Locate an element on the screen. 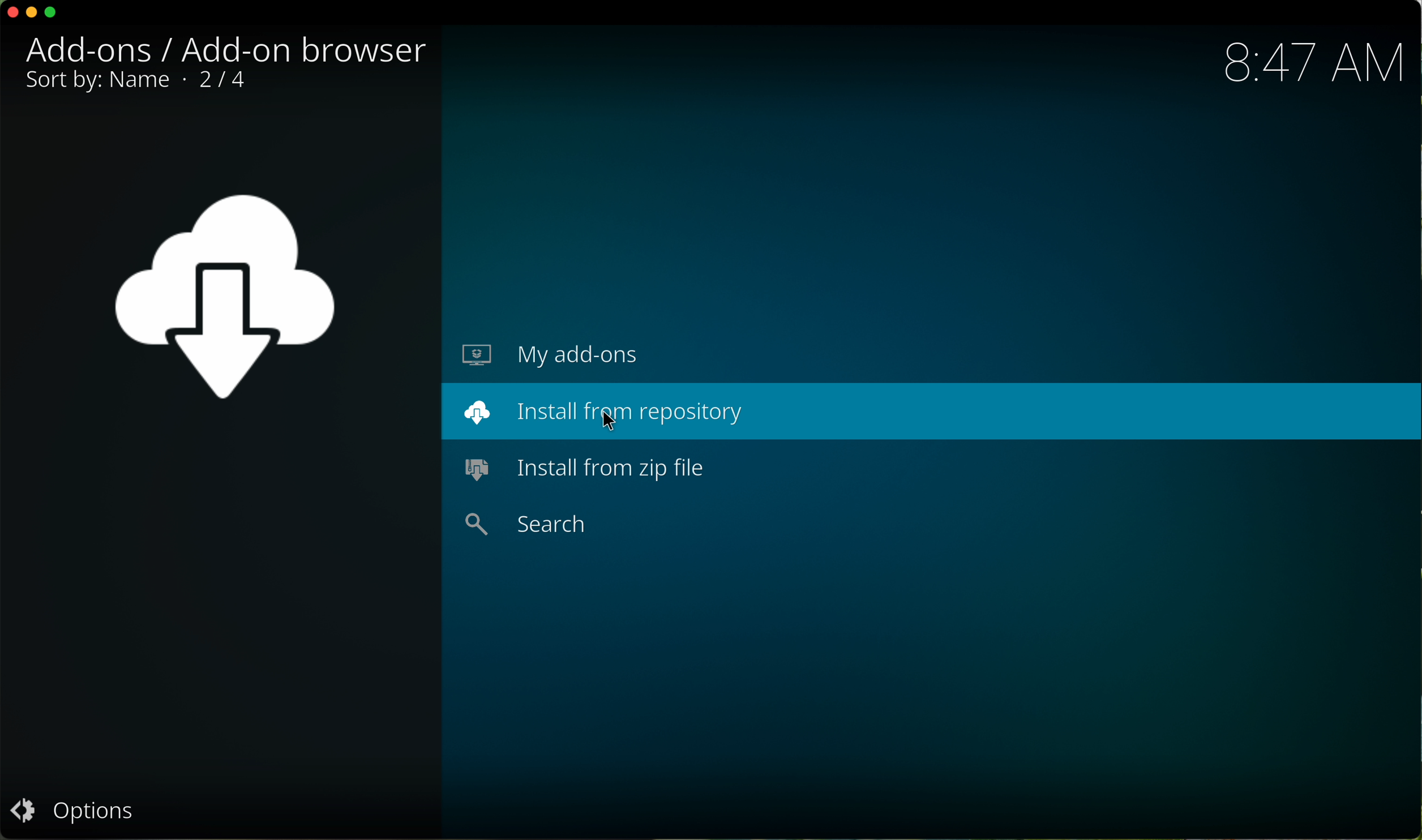 Image resolution: width=1422 pixels, height=840 pixels. add-ons is located at coordinates (101, 49).